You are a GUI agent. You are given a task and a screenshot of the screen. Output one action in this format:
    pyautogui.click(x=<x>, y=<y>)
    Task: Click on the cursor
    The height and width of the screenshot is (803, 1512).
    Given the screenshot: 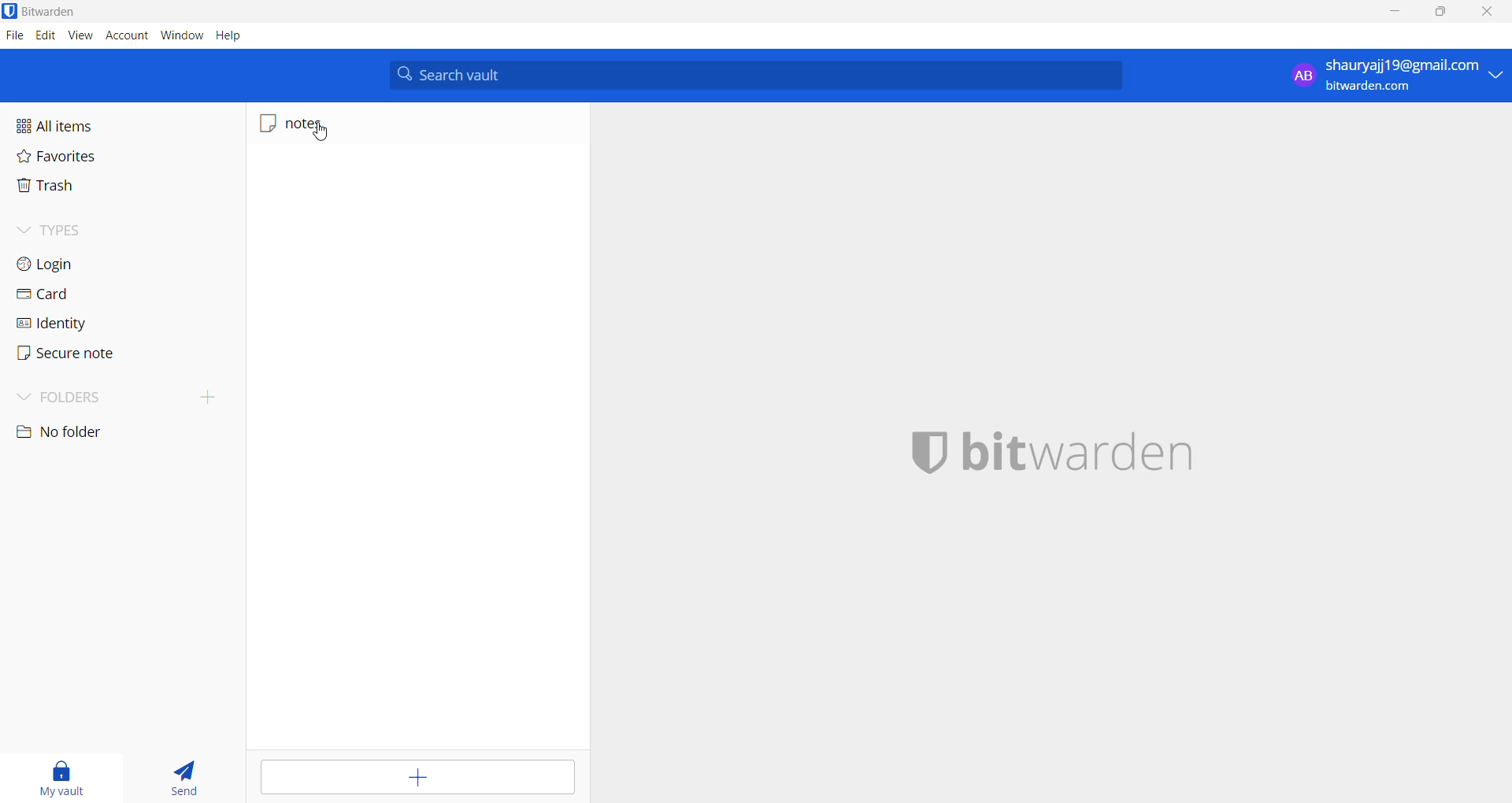 What is the action you would take?
    pyautogui.click(x=316, y=135)
    